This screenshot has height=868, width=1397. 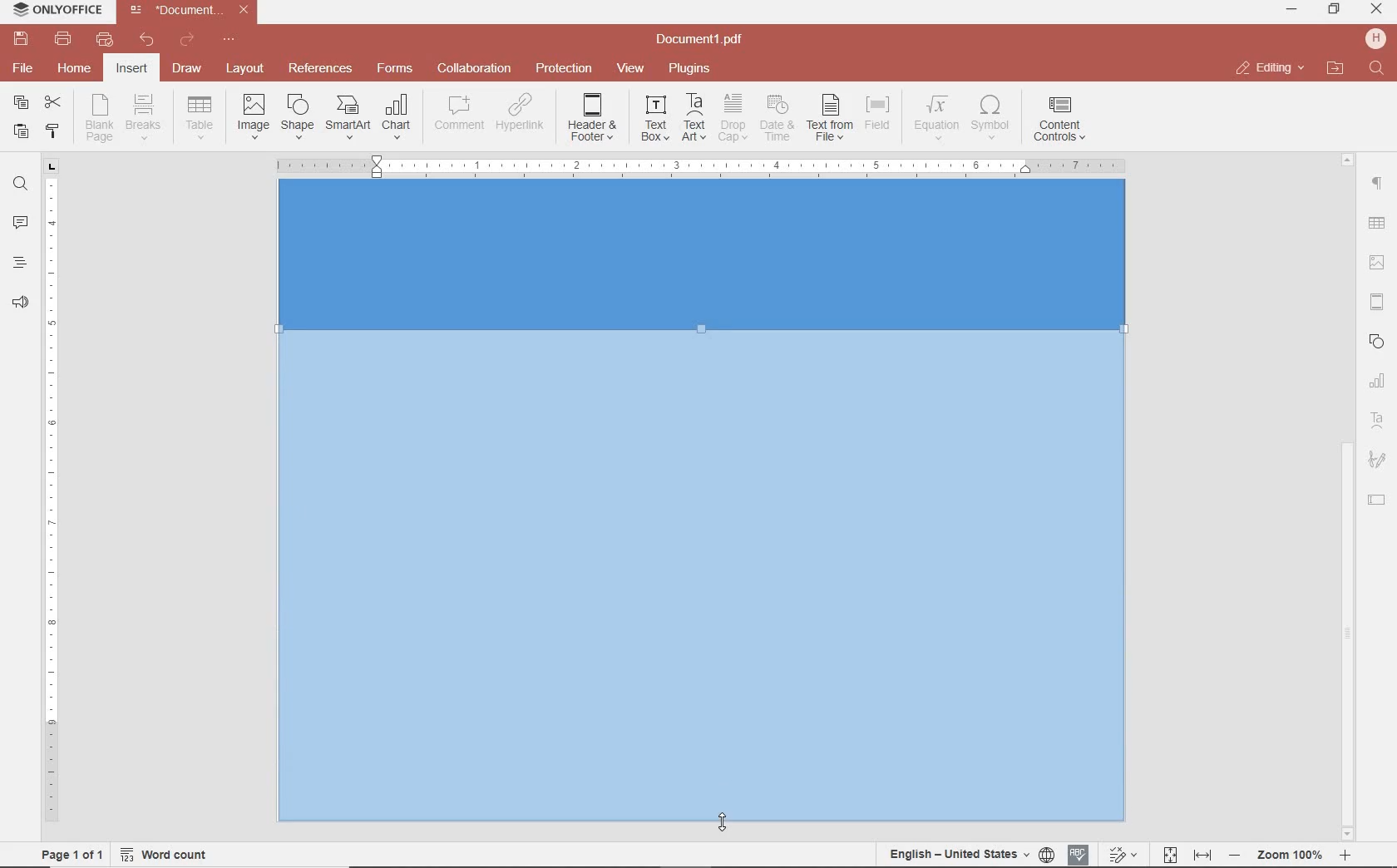 I want to click on heading, so click(x=20, y=262).